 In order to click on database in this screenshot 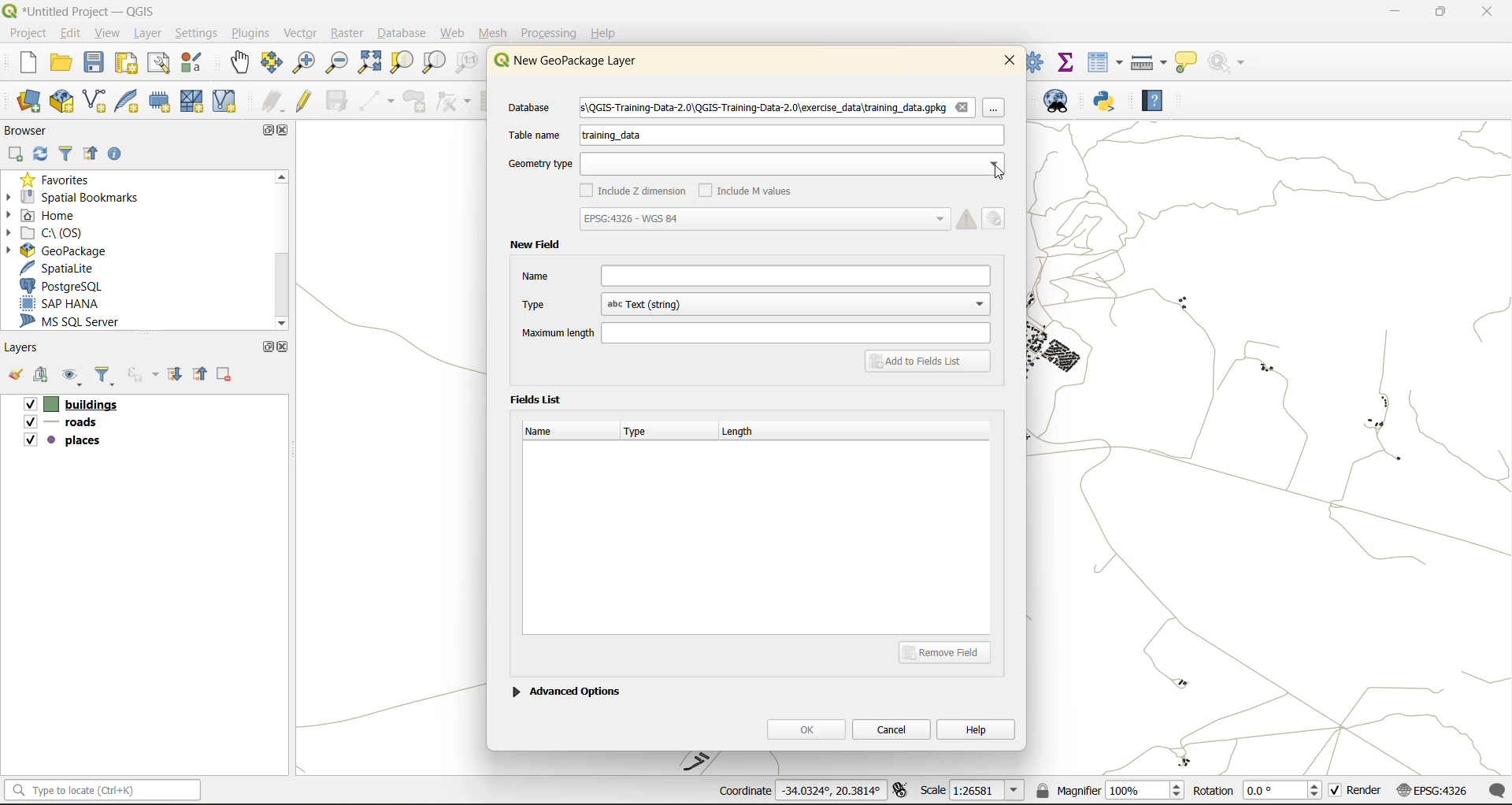, I will do `click(535, 109)`.